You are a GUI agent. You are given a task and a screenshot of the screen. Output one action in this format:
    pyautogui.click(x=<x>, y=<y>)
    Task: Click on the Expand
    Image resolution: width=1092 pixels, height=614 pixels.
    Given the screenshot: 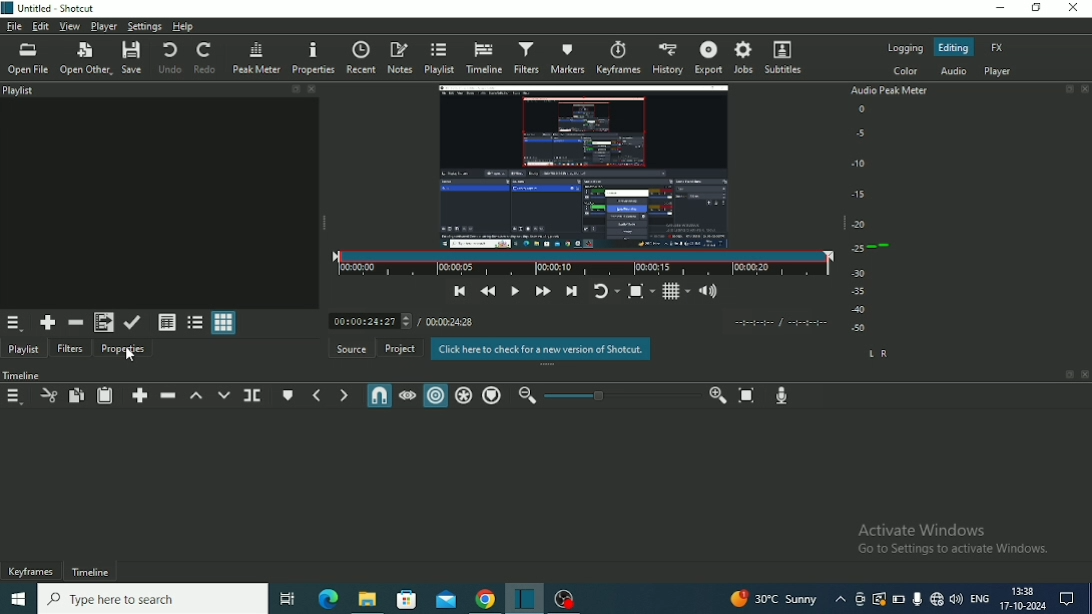 What is the action you would take?
    pyautogui.click(x=295, y=89)
    